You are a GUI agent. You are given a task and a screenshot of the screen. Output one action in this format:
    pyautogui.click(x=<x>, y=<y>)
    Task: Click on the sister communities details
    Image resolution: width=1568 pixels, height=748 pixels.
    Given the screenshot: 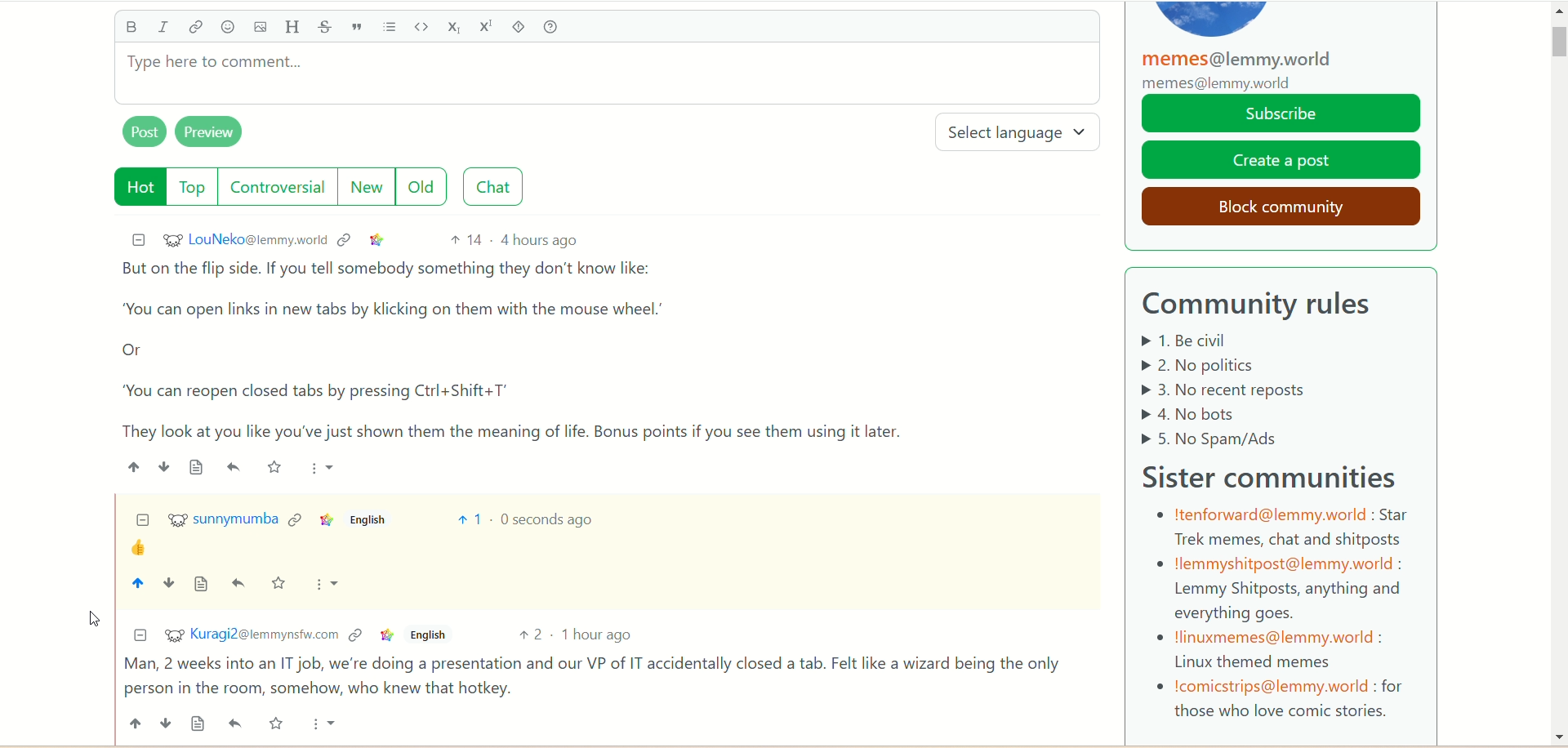 What is the action you would take?
    pyautogui.click(x=1281, y=612)
    